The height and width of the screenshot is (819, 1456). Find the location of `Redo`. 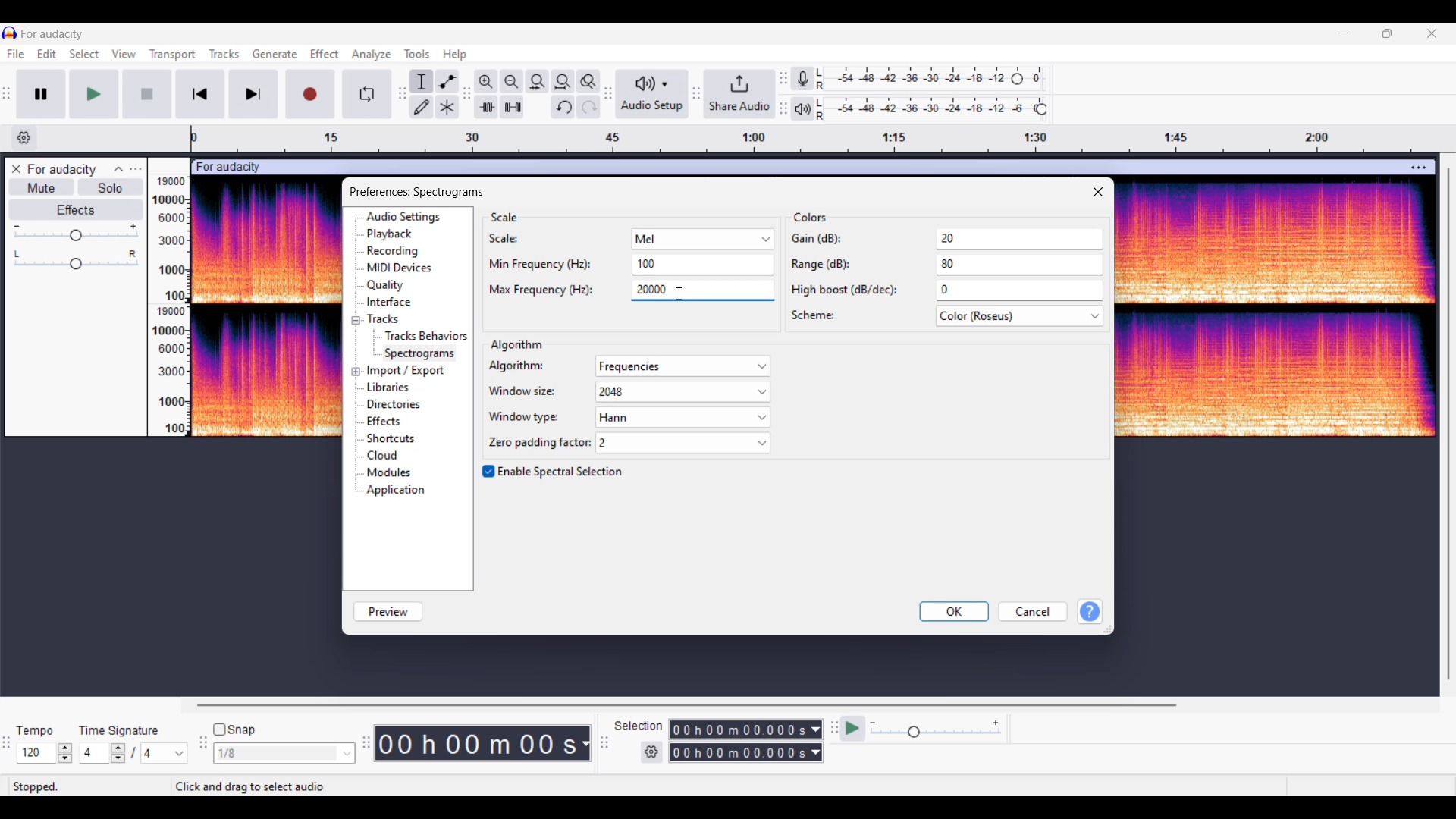

Redo is located at coordinates (588, 107).